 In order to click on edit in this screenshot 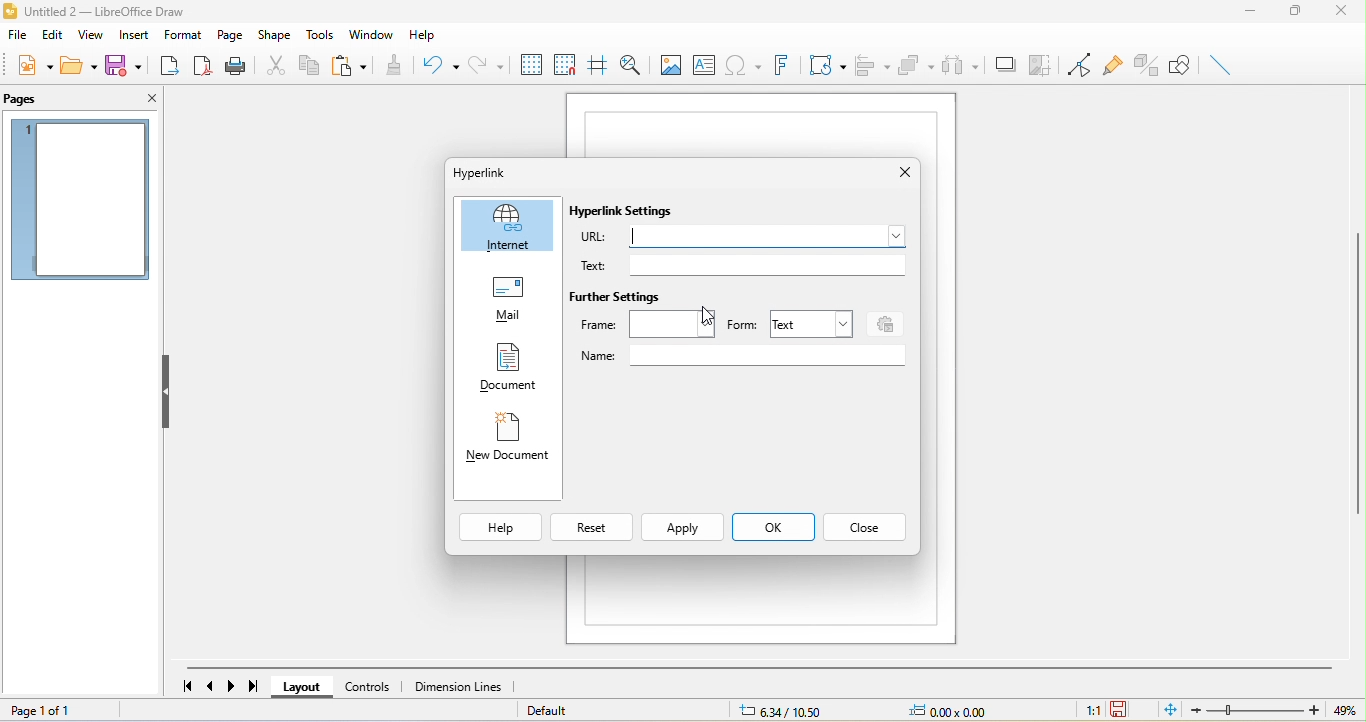, I will do `click(51, 35)`.